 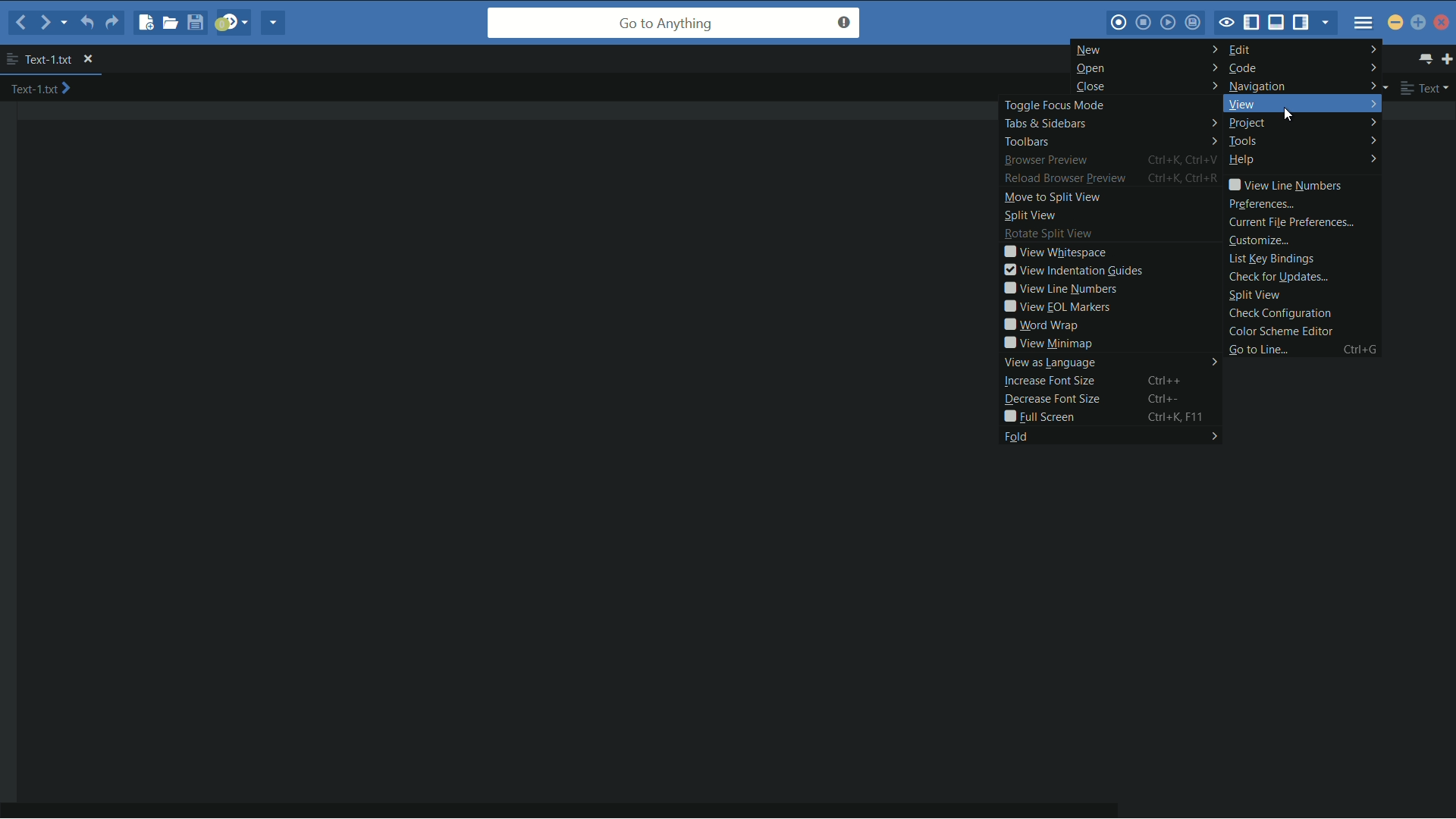 I want to click on save file, so click(x=193, y=24).